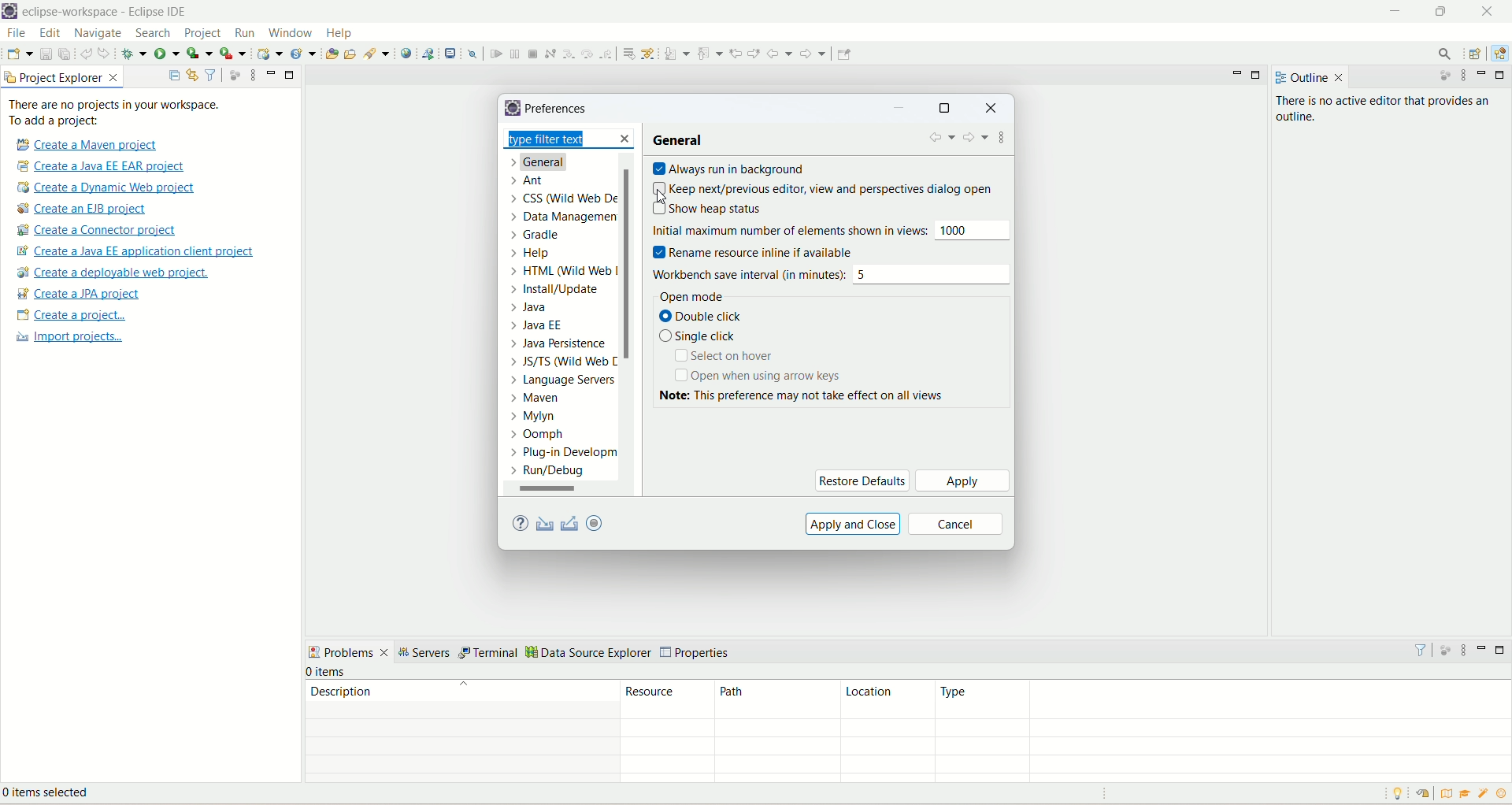 This screenshot has width=1512, height=805. Describe the element at coordinates (107, 188) in the screenshot. I see `create a Dynamic web project` at that location.